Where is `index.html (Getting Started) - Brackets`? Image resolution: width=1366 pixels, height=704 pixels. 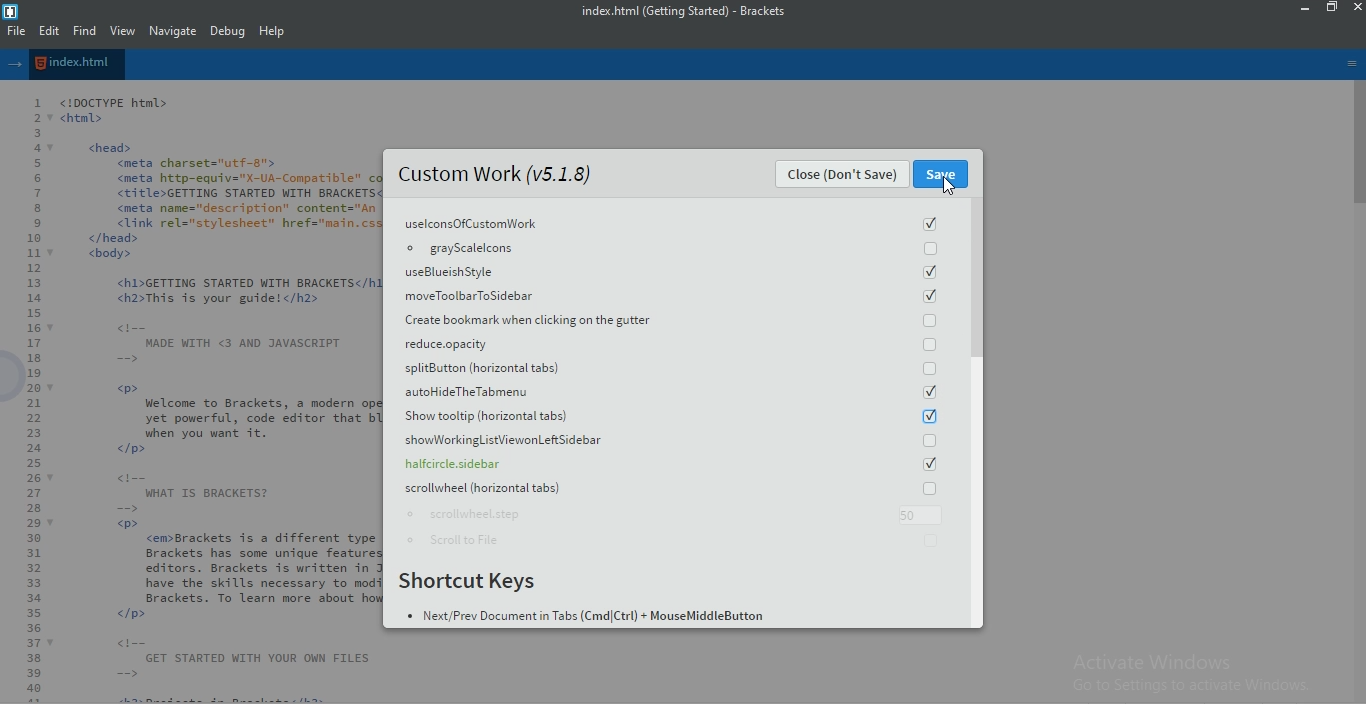 index.html (Getting Started) - Brackets is located at coordinates (692, 10).